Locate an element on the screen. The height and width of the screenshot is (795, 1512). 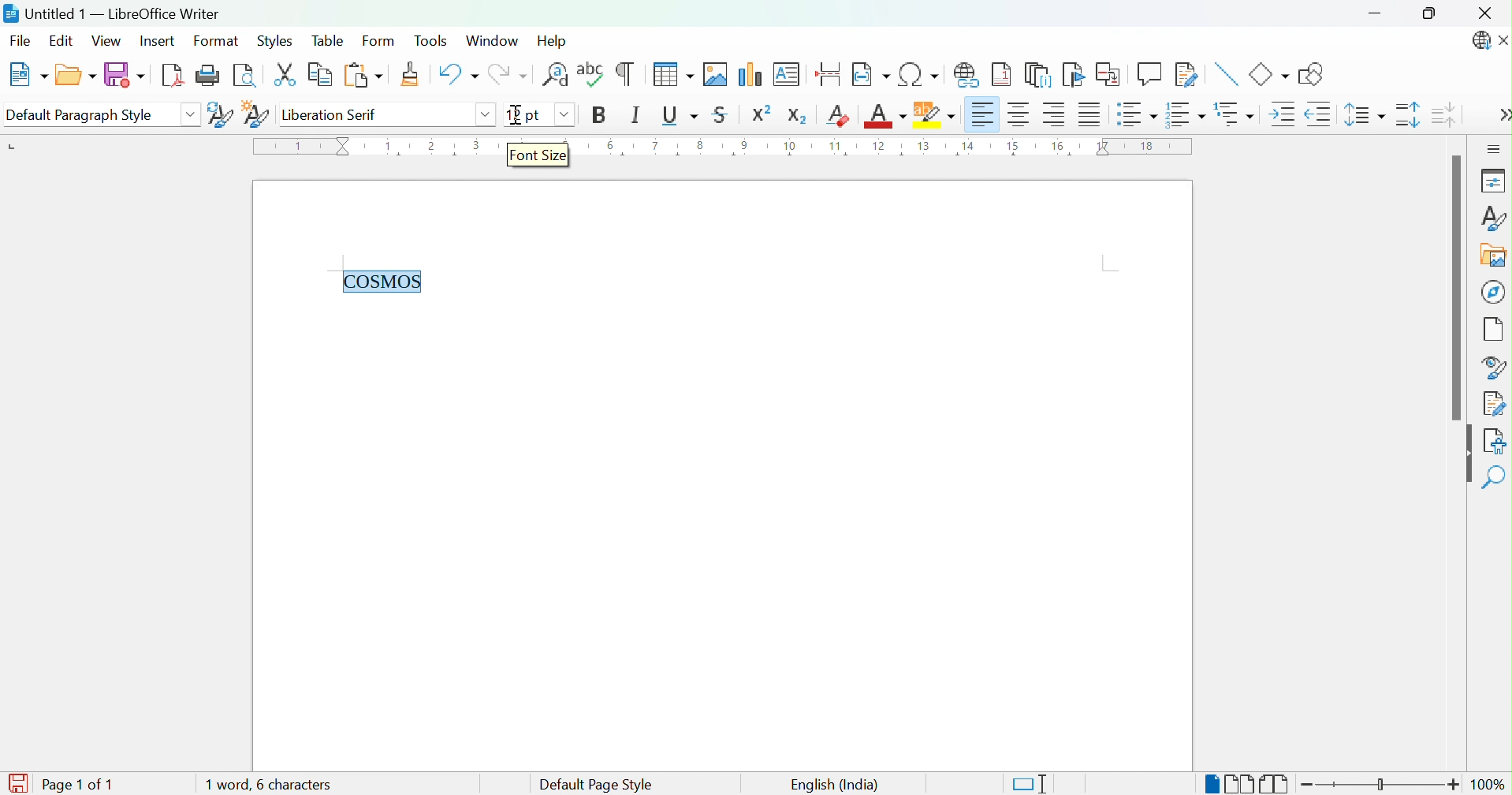
Drop down is located at coordinates (560, 114).